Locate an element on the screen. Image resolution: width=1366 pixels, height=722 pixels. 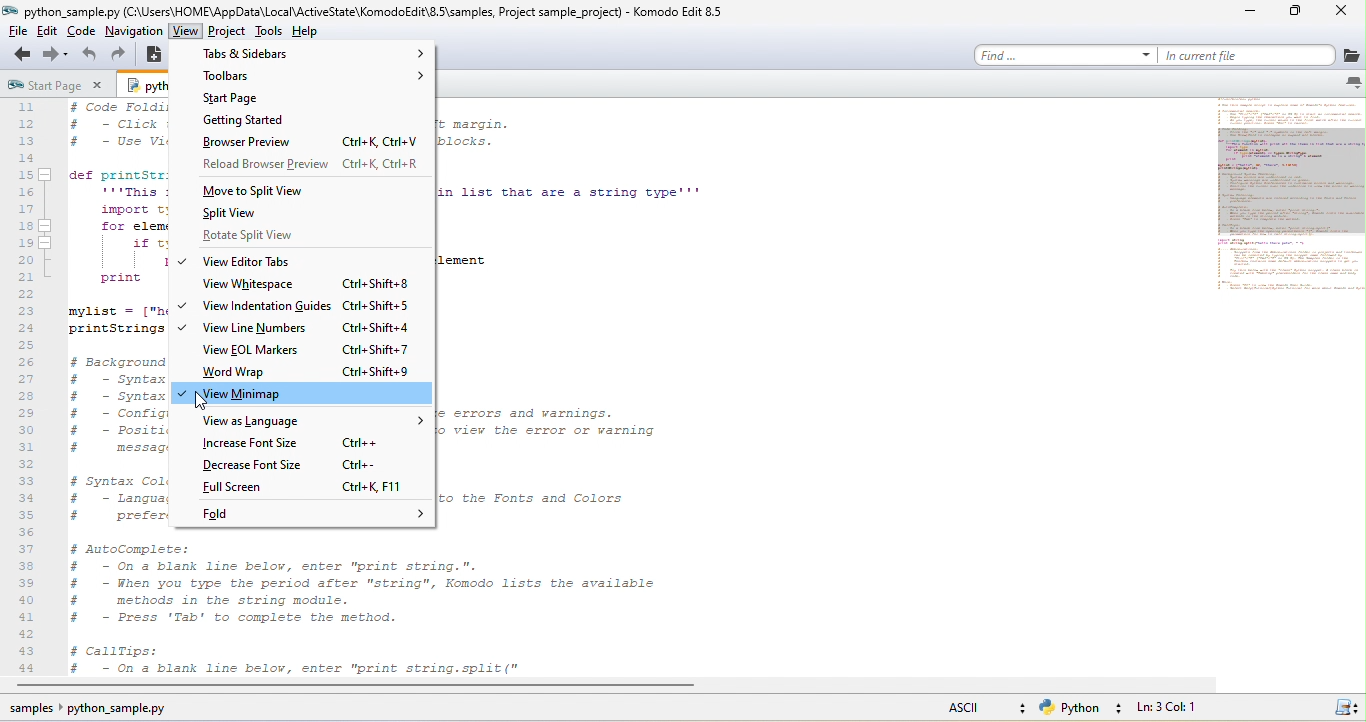
start page is located at coordinates (243, 98).